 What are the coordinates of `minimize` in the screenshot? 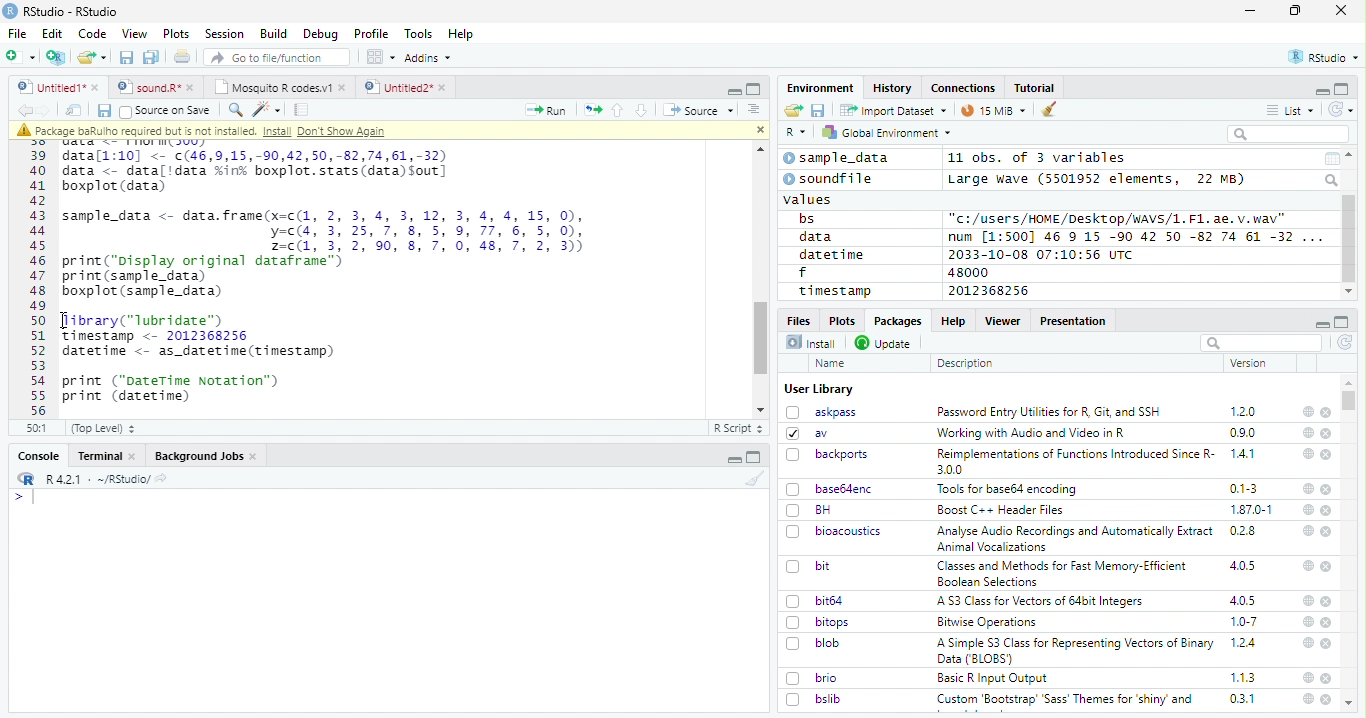 It's located at (736, 457).